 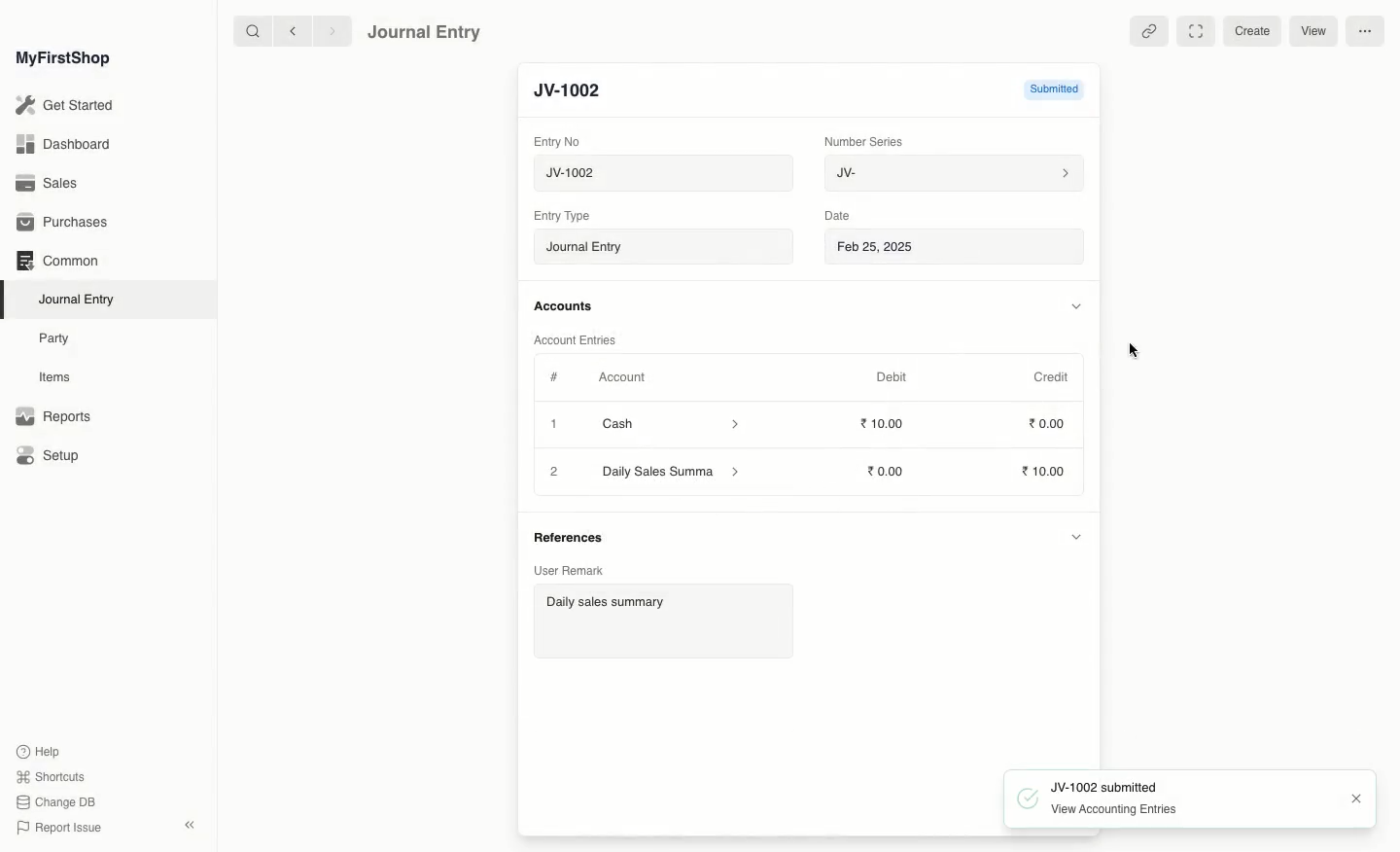 I want to click on Daily sales summary, so click(x=673, y=473).